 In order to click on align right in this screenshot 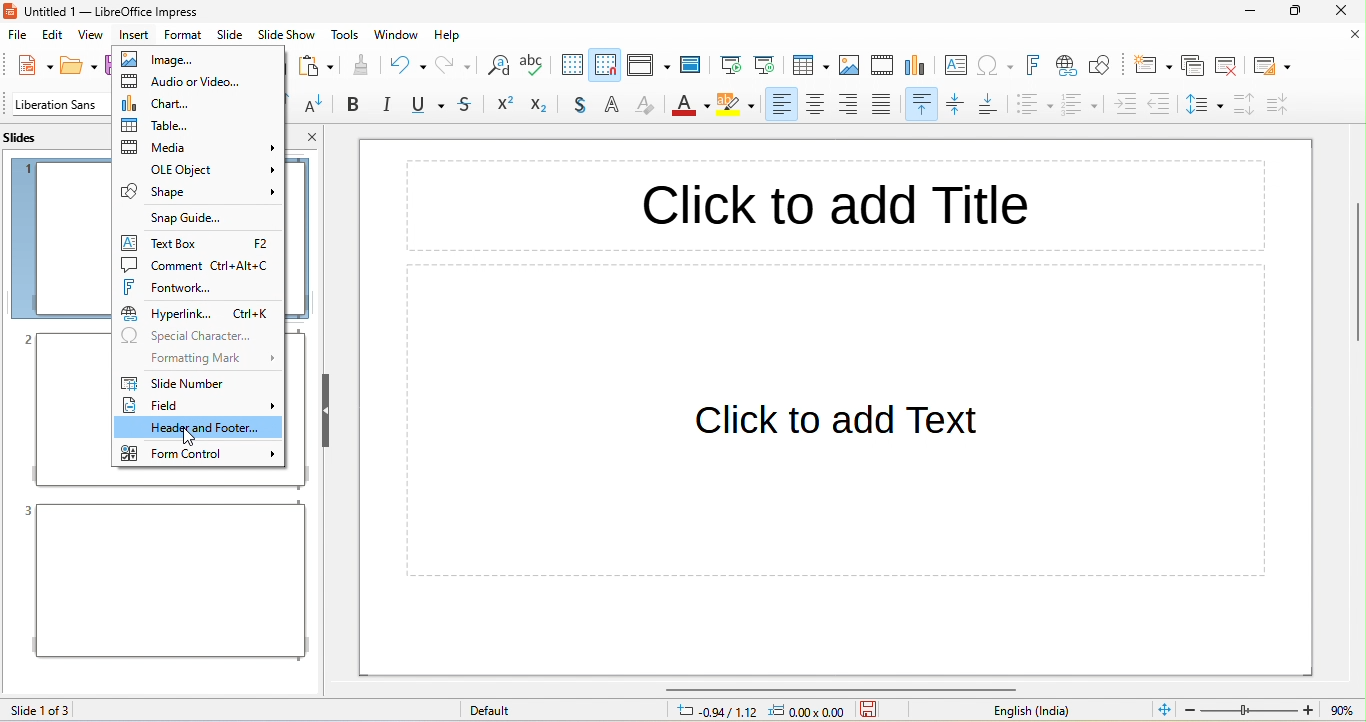, I will do `click(852, 105)`.